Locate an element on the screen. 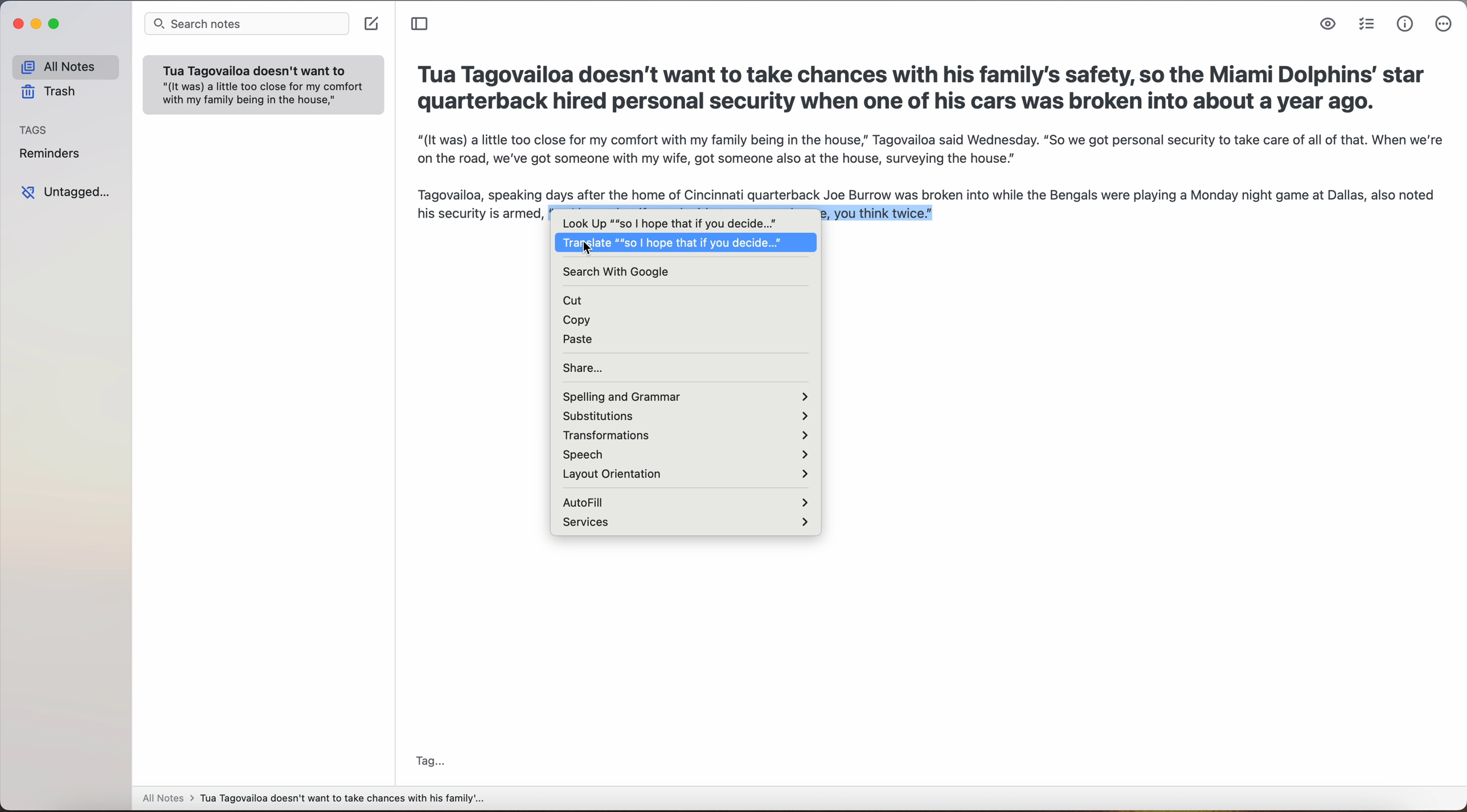  transformations is located at coordinates (686, 435).